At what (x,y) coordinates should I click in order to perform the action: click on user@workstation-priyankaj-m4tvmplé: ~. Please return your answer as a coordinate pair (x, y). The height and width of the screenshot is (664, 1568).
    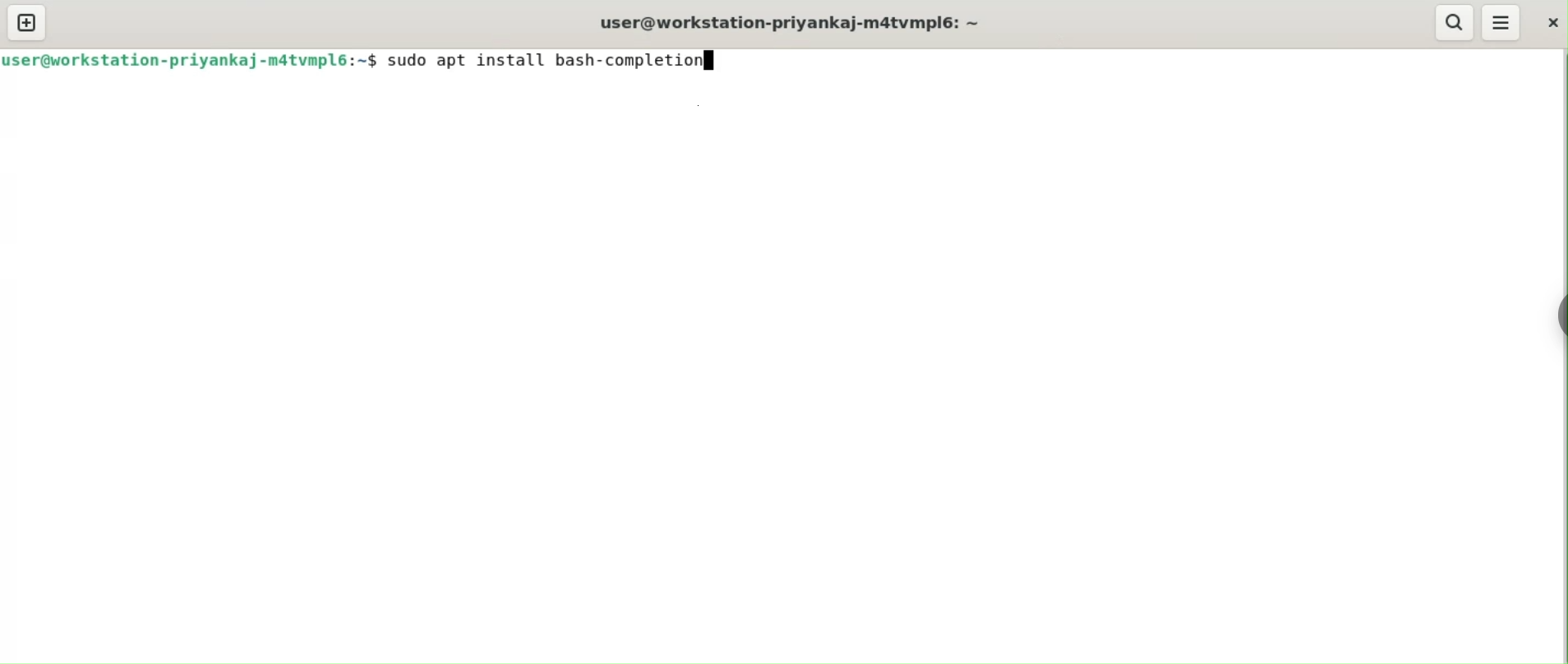
    Looking at the image, I should click on (803, 24).